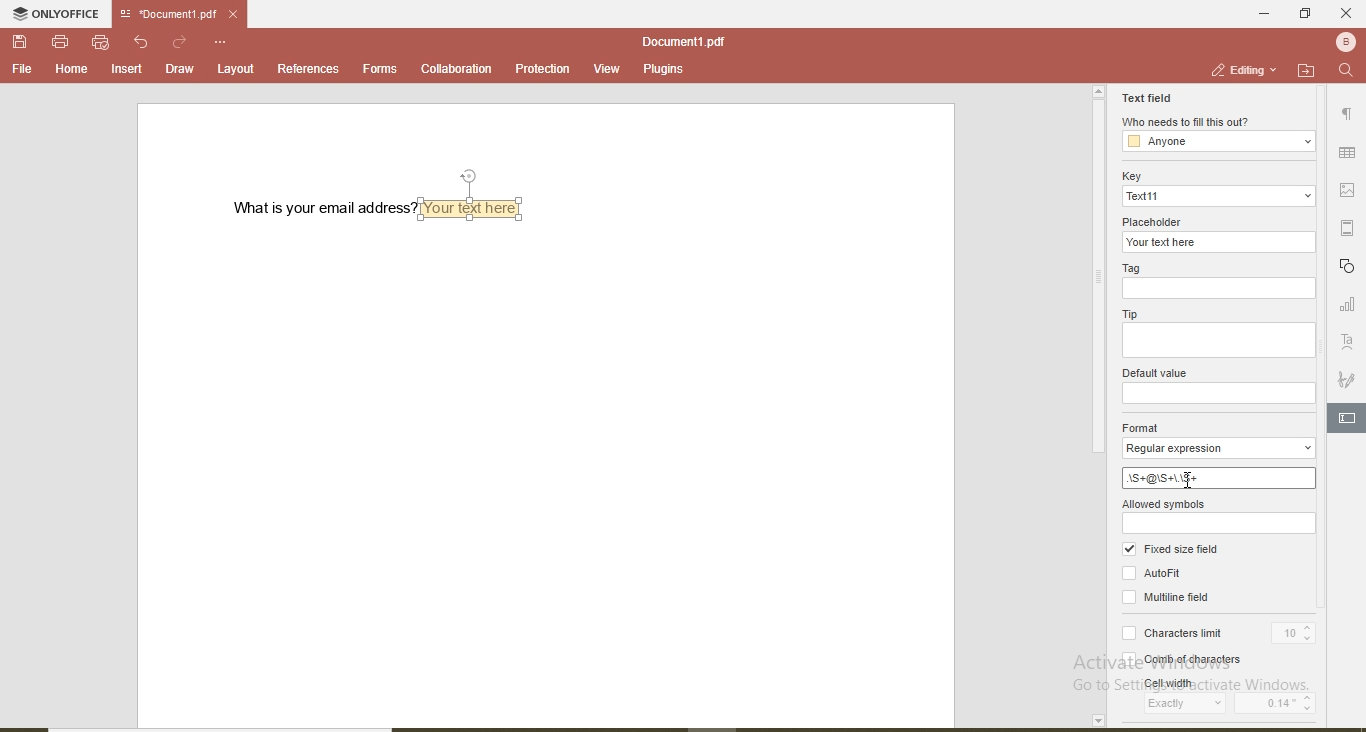  What do you see at coordinates (1349, 267) in the screenshot?
I see `shapes` at bounding box center [1349, 267].